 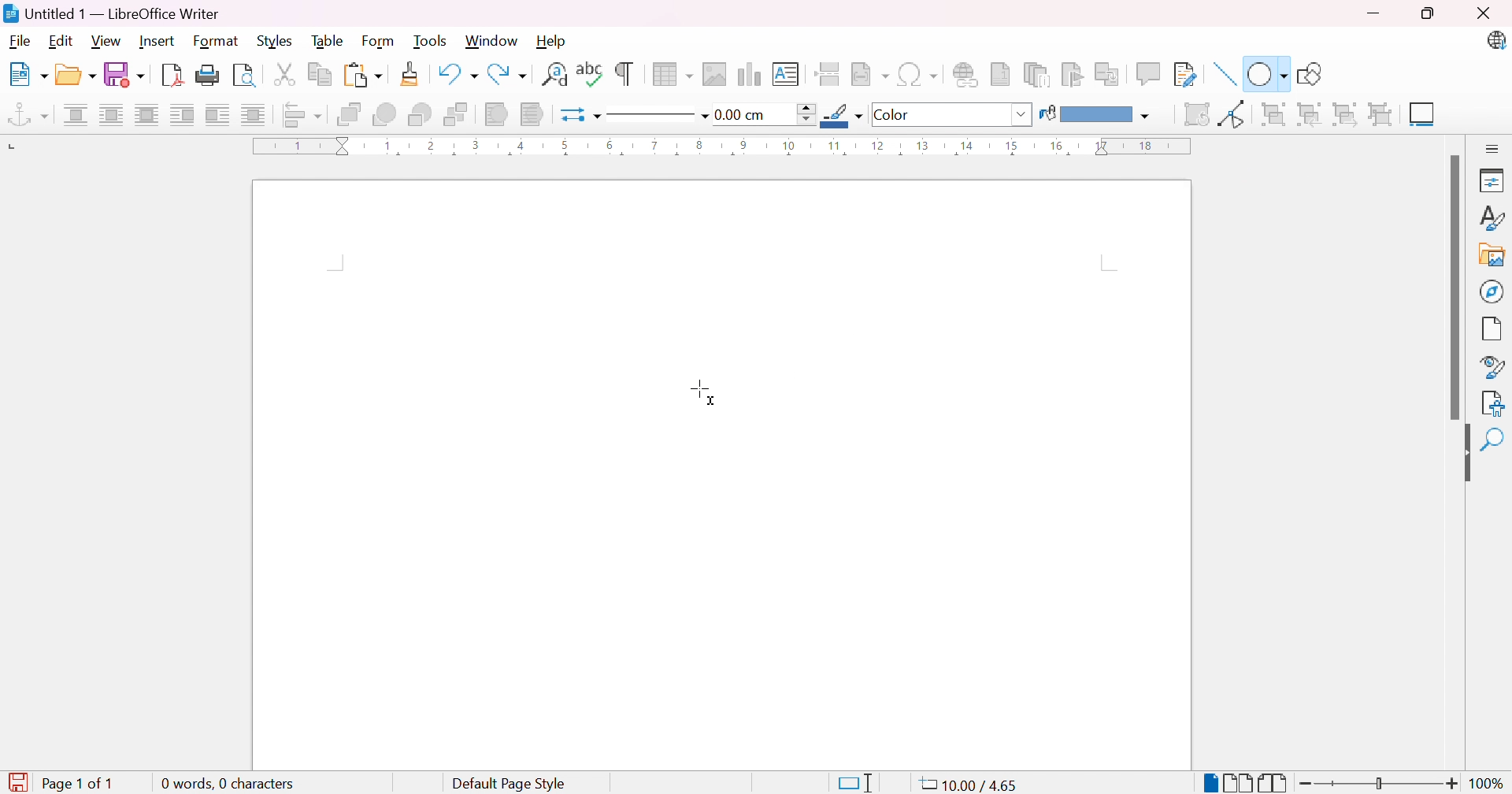 What do you see at coordinates (491, 41) in the screenshot?
I see `Window` at bounding box center [491, 41].